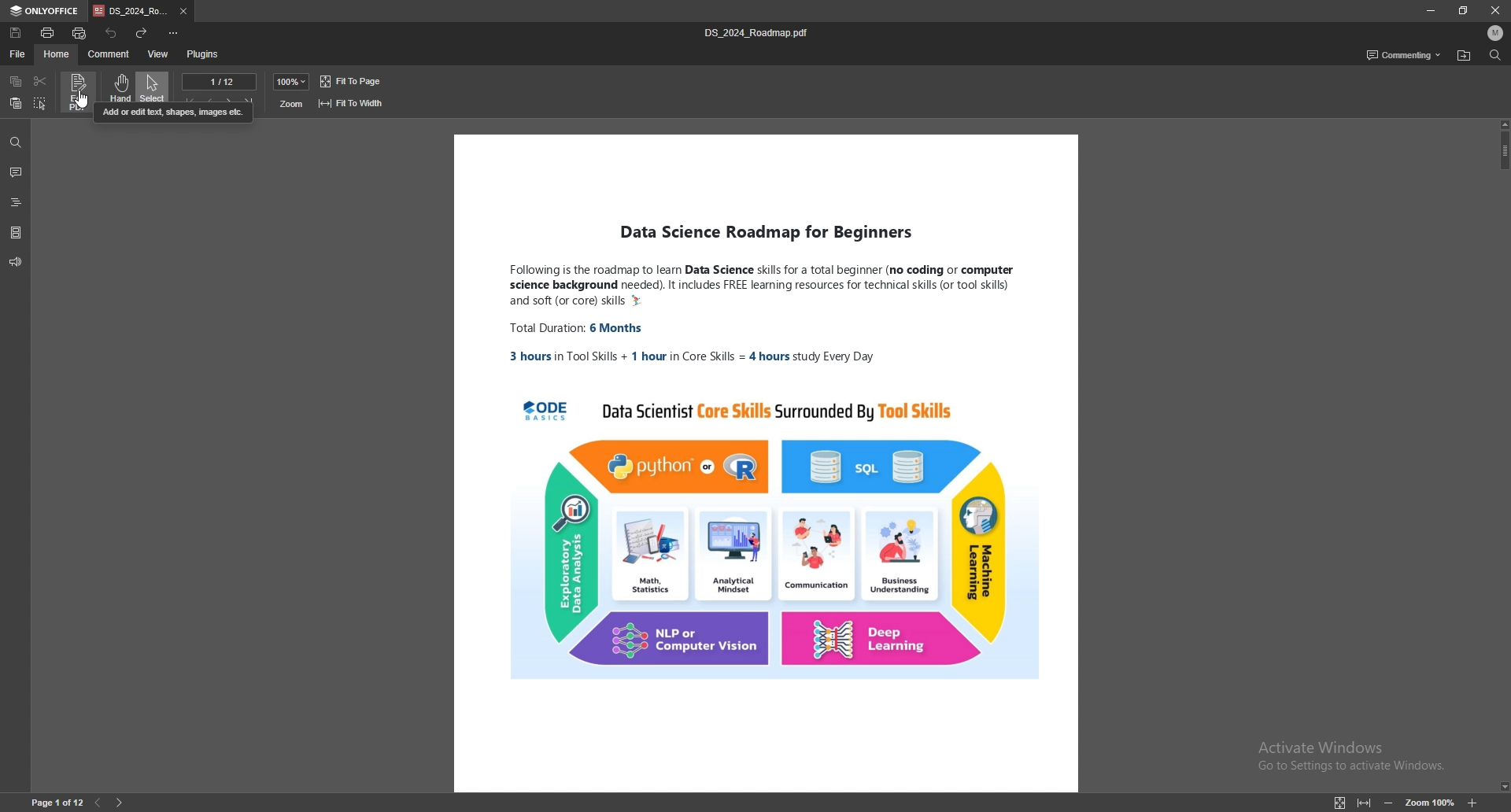 This screenshot has width=1511, height=812. Describe the element at coordinates (117, 86) in the screenshot. I see `hand` at that location.